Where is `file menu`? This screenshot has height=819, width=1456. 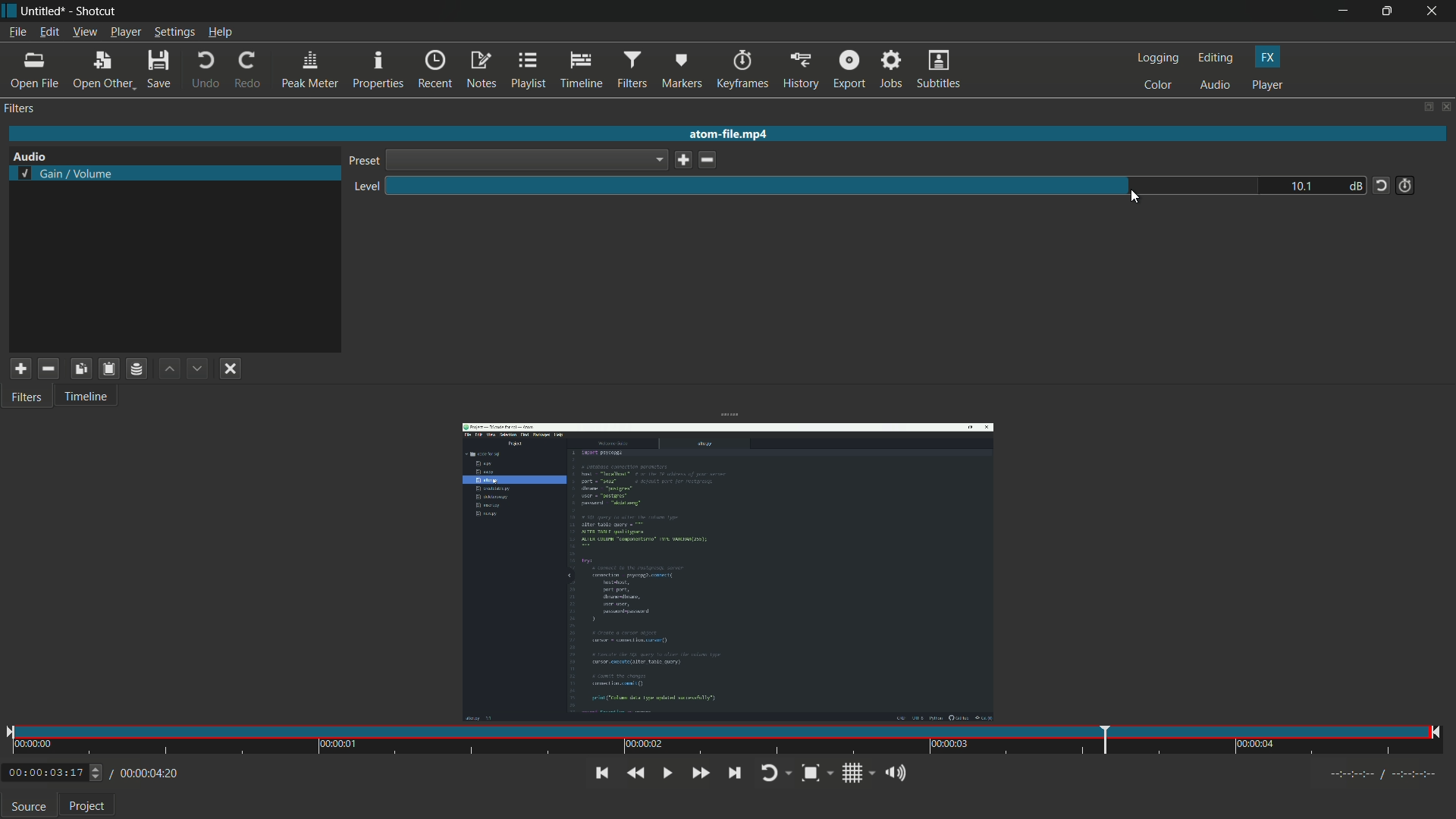 file menu is located at coordinates (17, 32).